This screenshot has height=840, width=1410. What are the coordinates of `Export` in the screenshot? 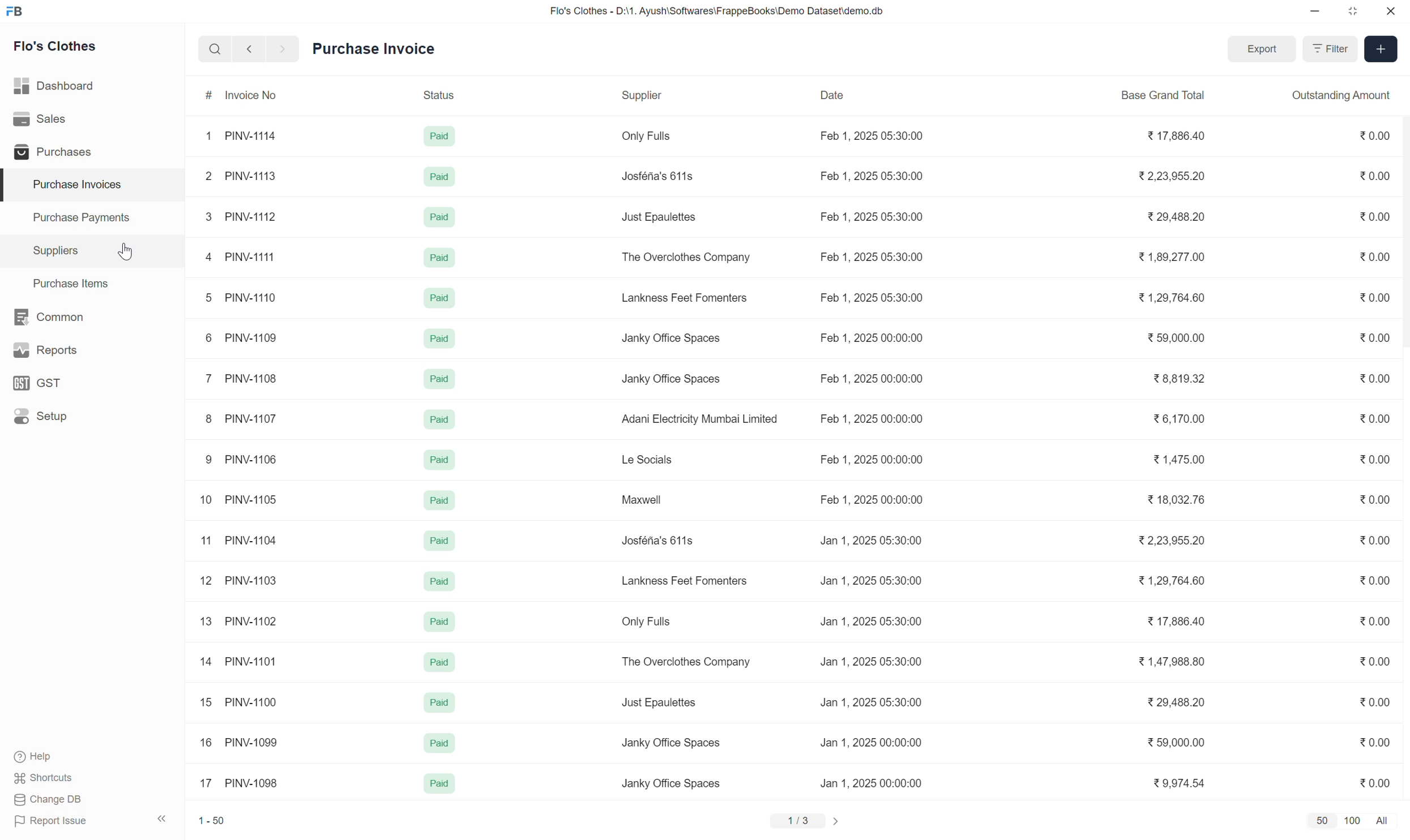 It's located at (1262, 49).